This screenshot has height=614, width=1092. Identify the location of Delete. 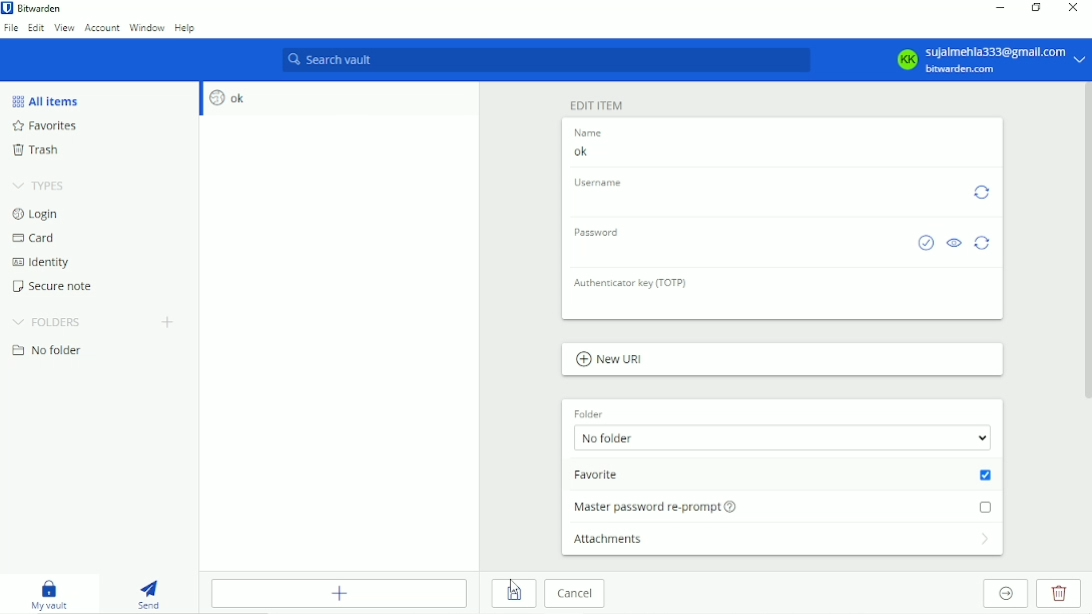
(1059, 593).